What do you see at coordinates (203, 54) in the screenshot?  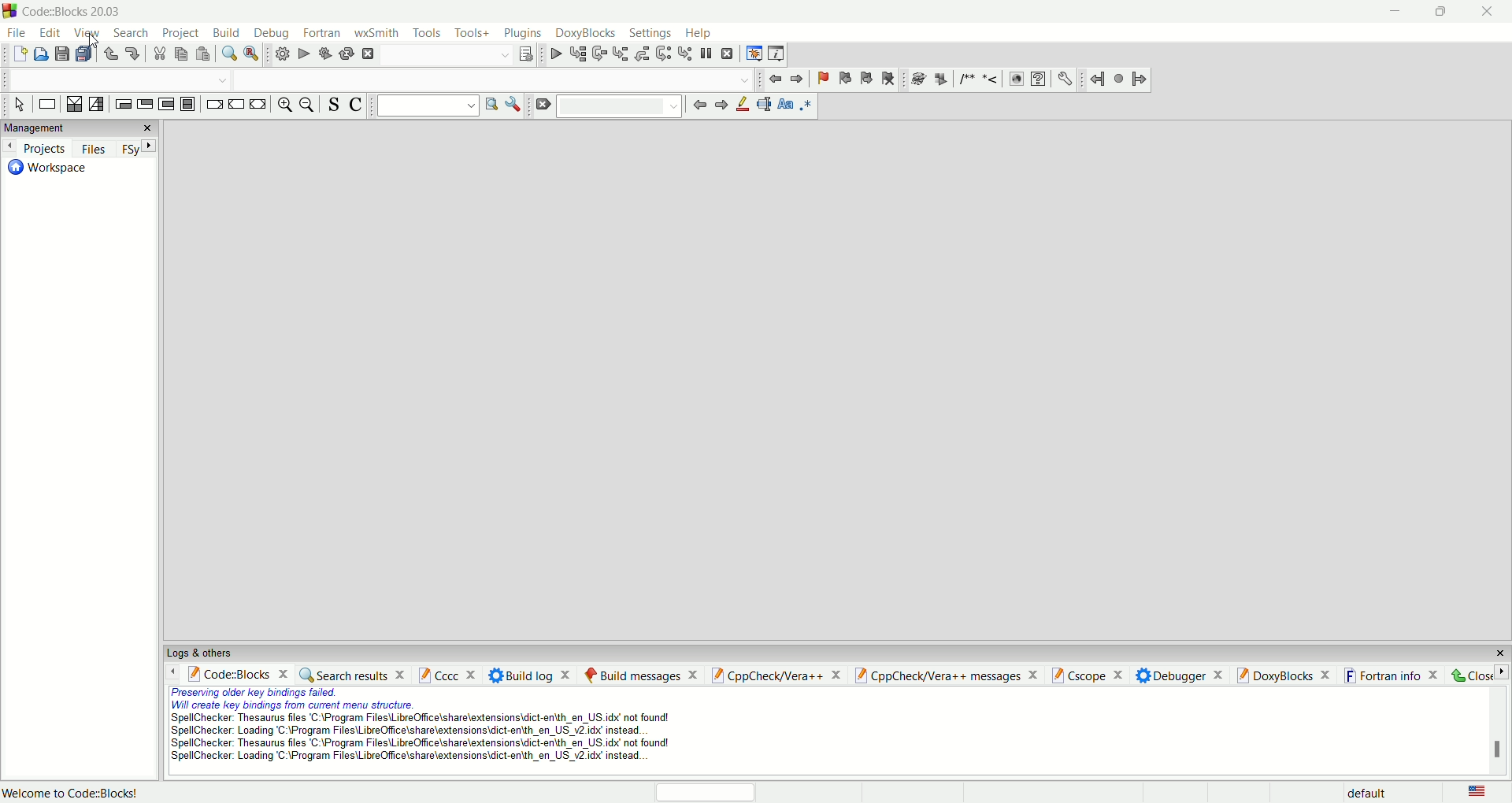 I see `paste` at bounding box center [203, 54].